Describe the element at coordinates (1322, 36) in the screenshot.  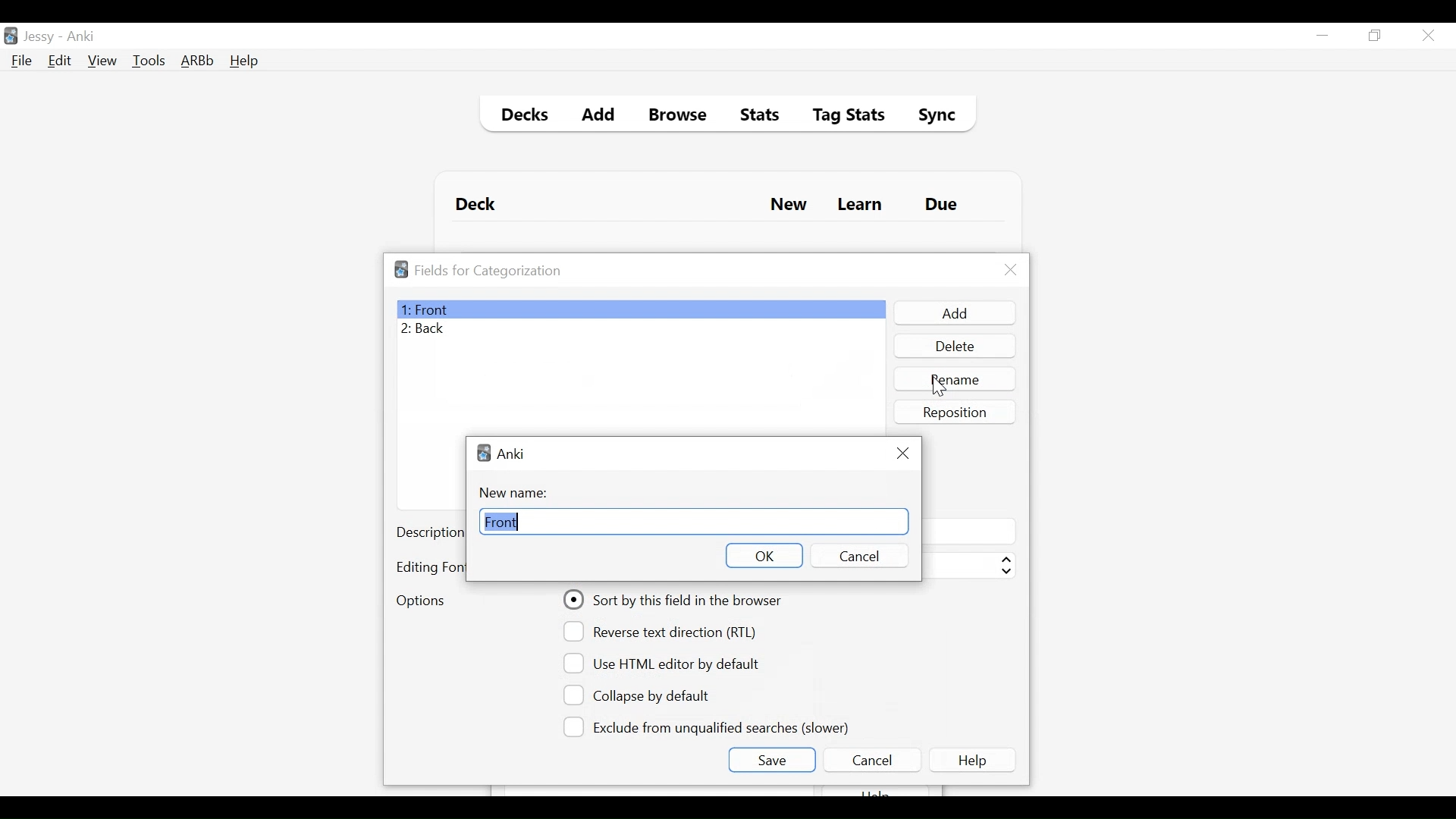
I see `minimize` at that location.